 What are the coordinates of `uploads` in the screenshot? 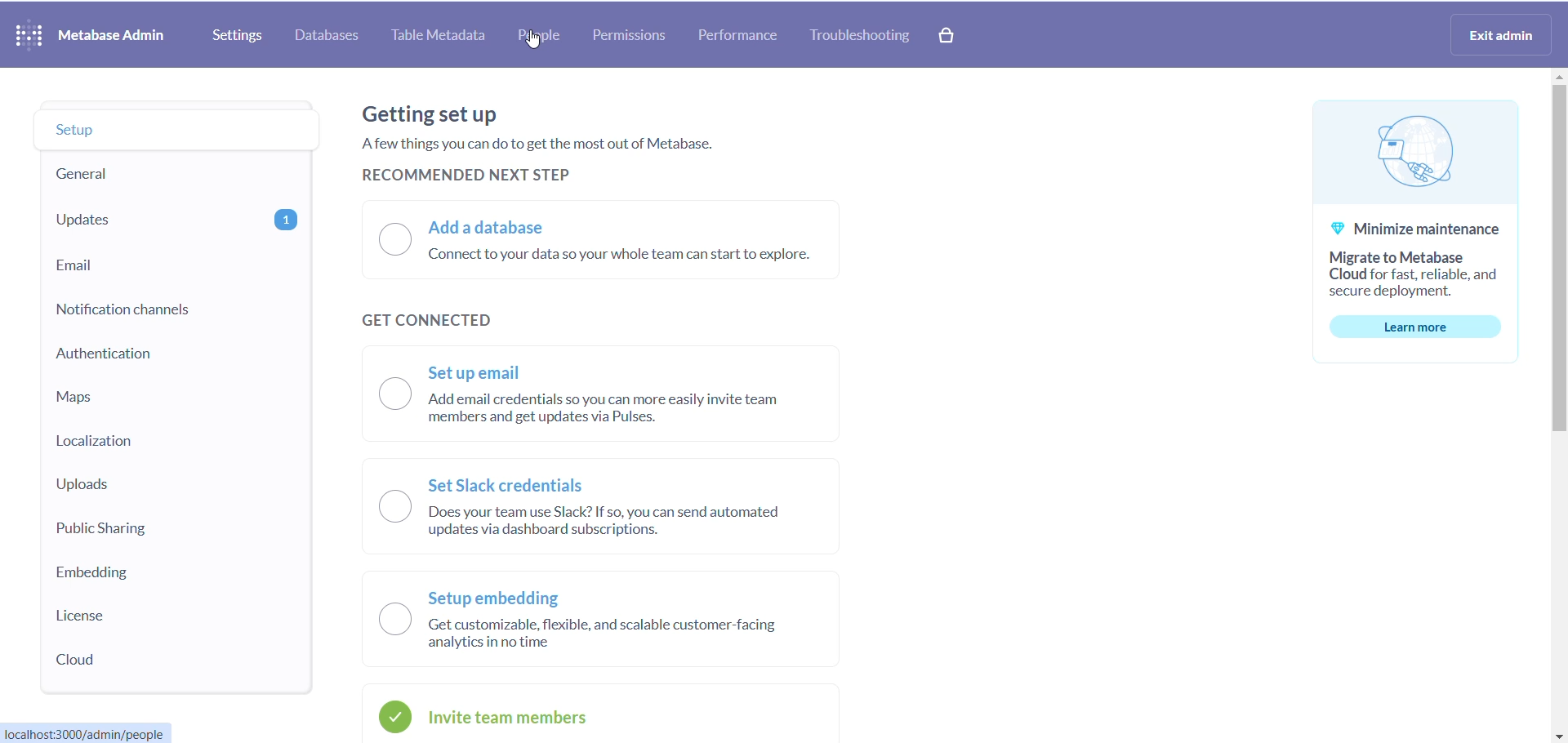 It's located at (149, 487).